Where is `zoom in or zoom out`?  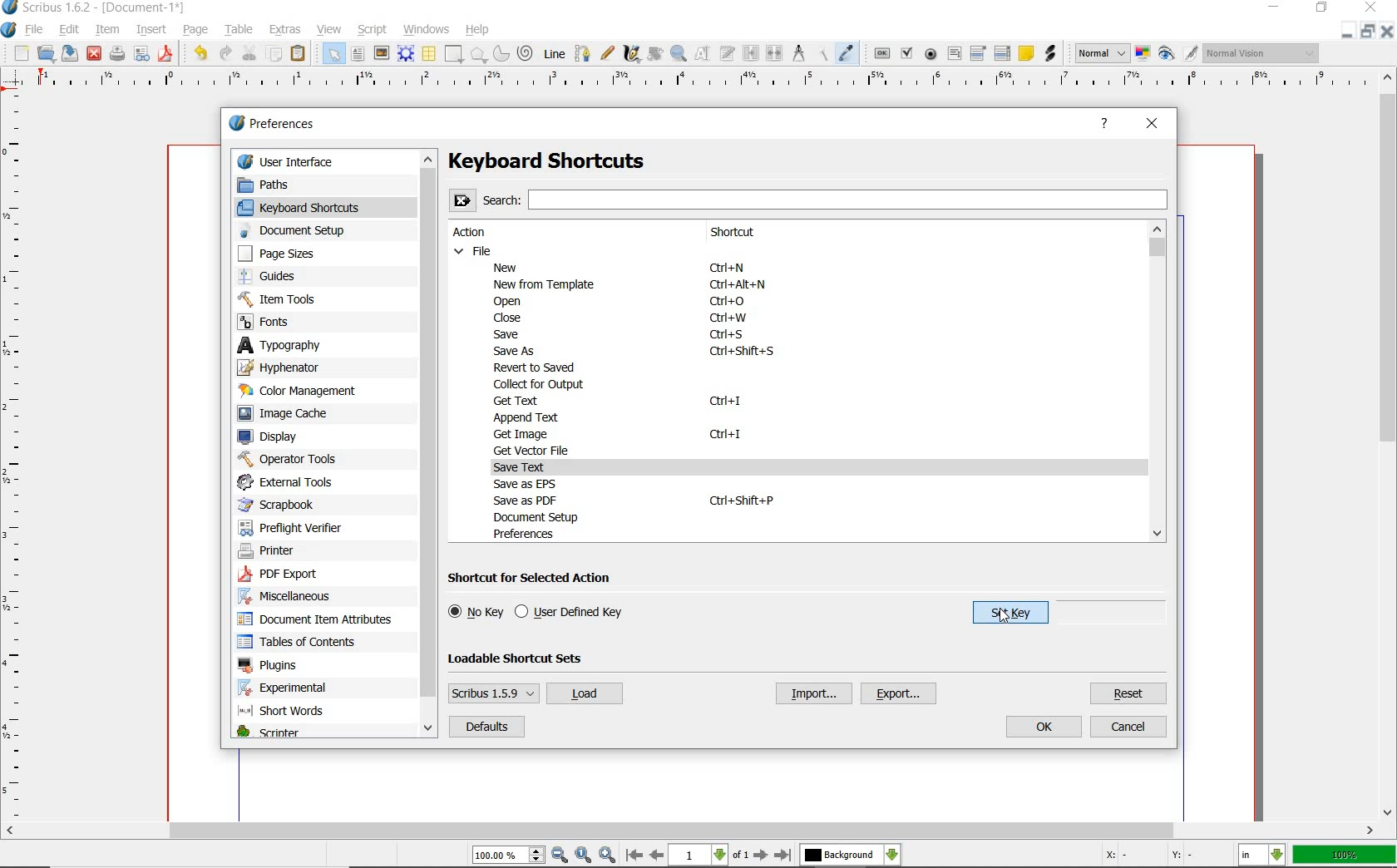
zoom in or zoom out is located at coordinates (679, 55).